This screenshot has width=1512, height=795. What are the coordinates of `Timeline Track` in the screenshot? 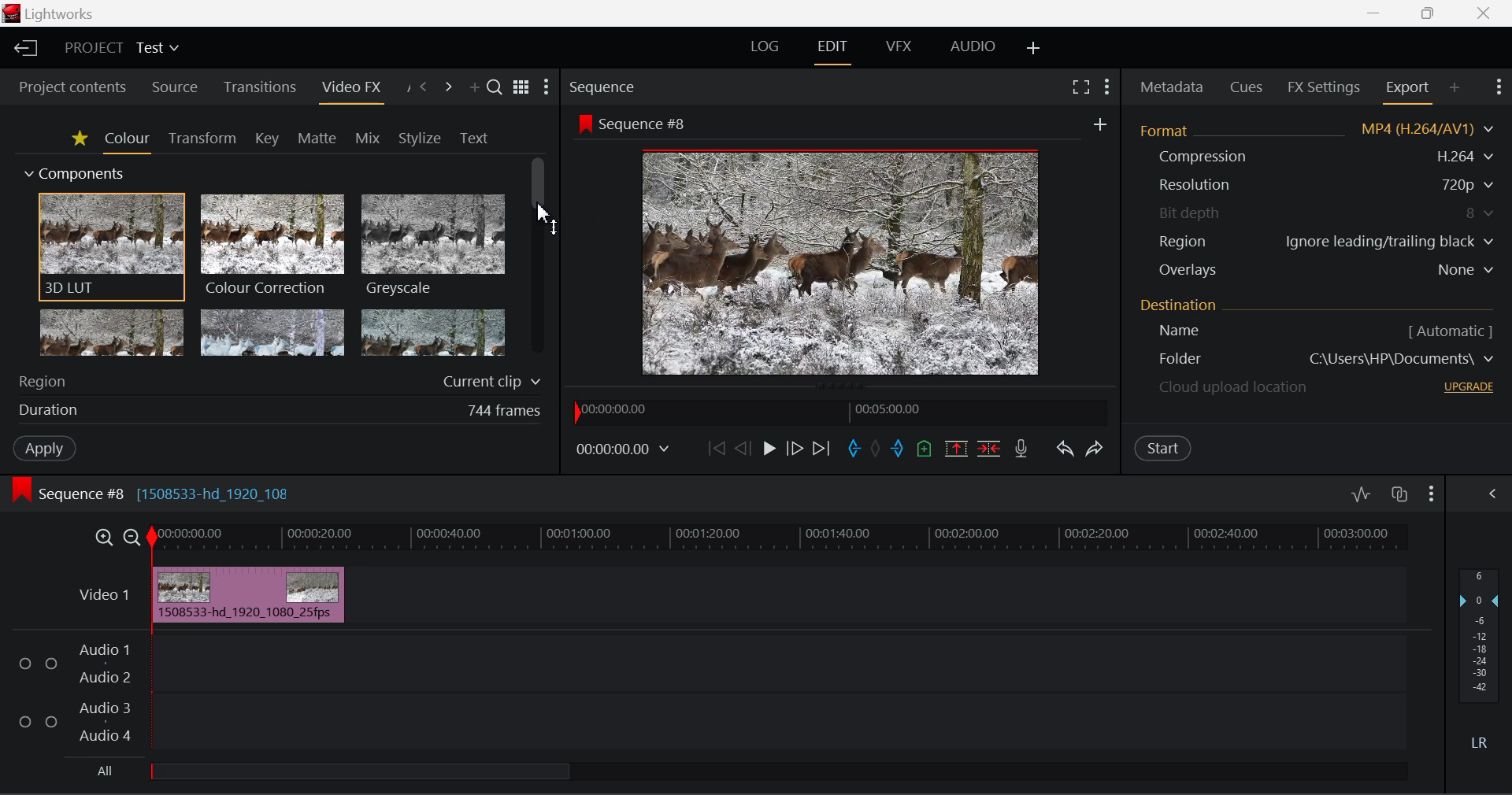 It's located at (781, 538).